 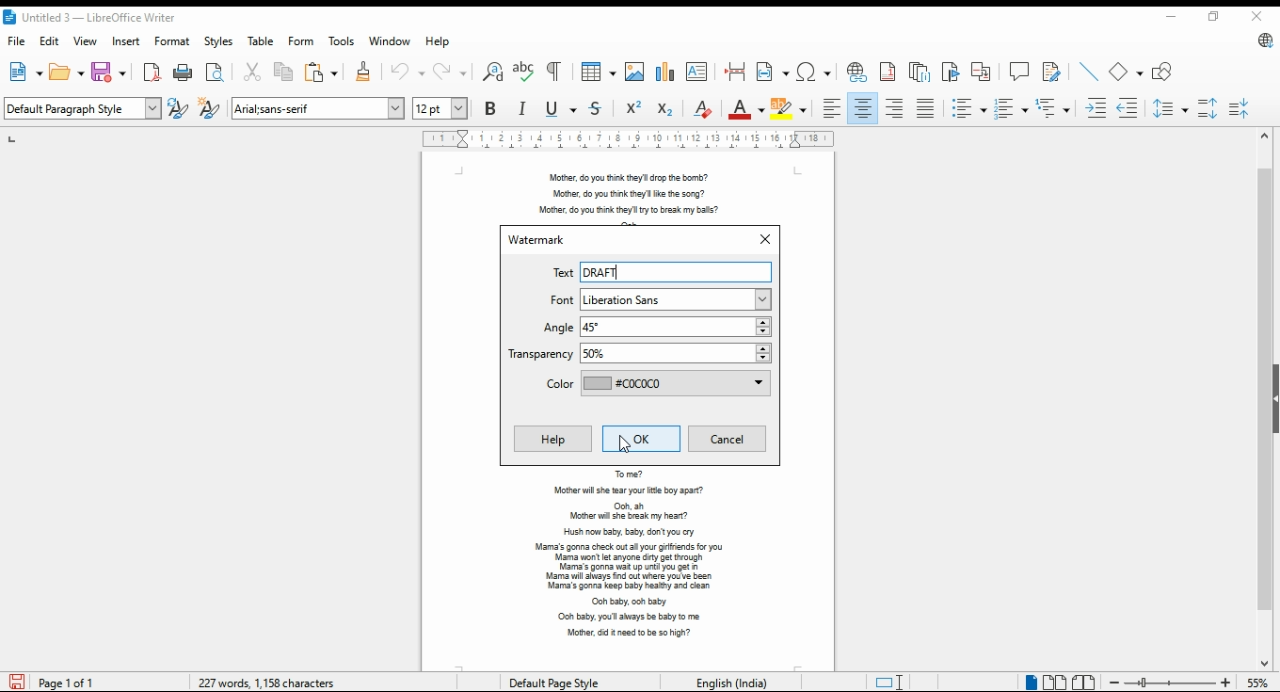 What do you see at coordinates (667, 72) in the screenshot?
I see `insert chart` at bounding box center [667, 72].